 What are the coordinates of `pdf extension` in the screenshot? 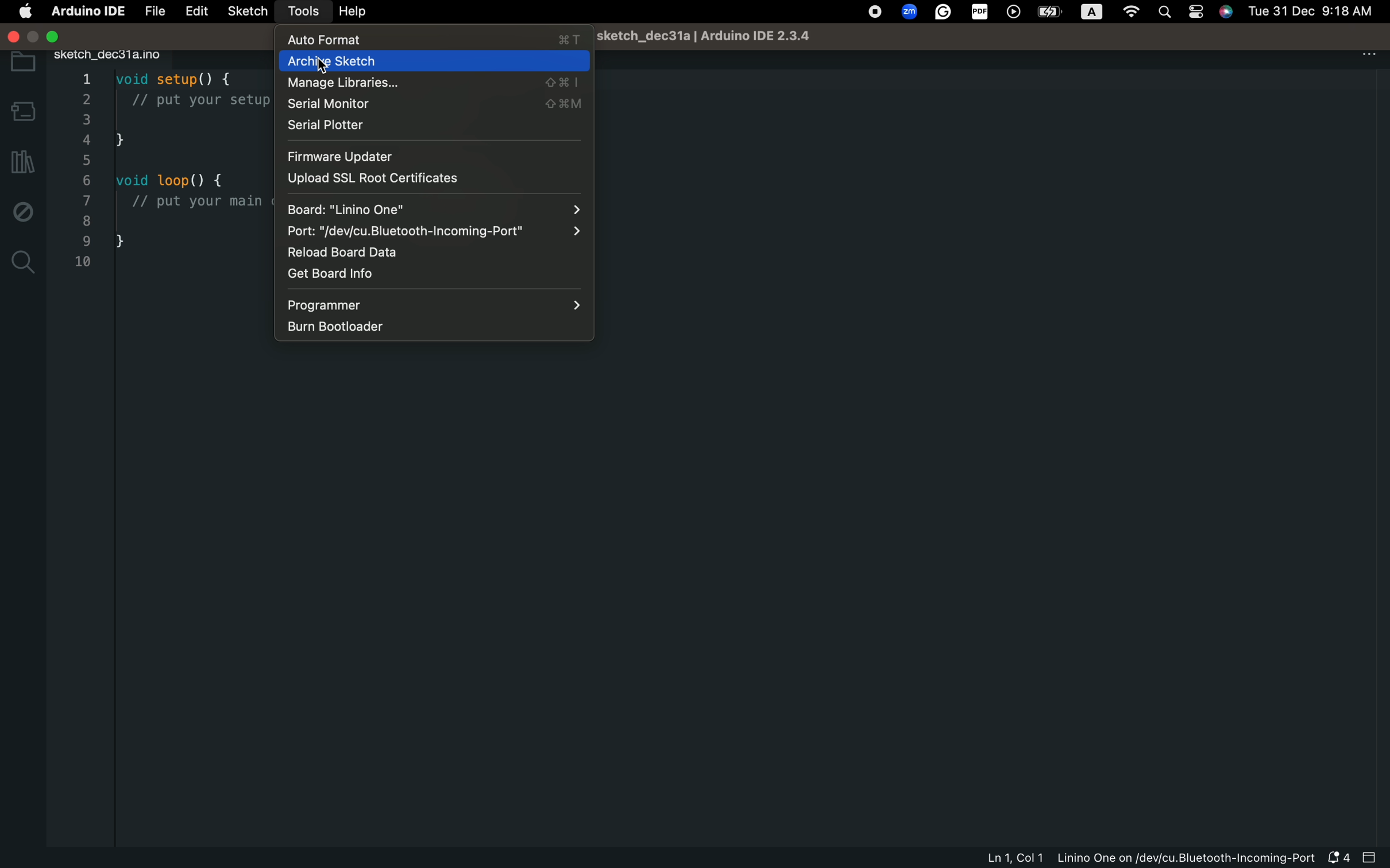 It's located at (980, 13).